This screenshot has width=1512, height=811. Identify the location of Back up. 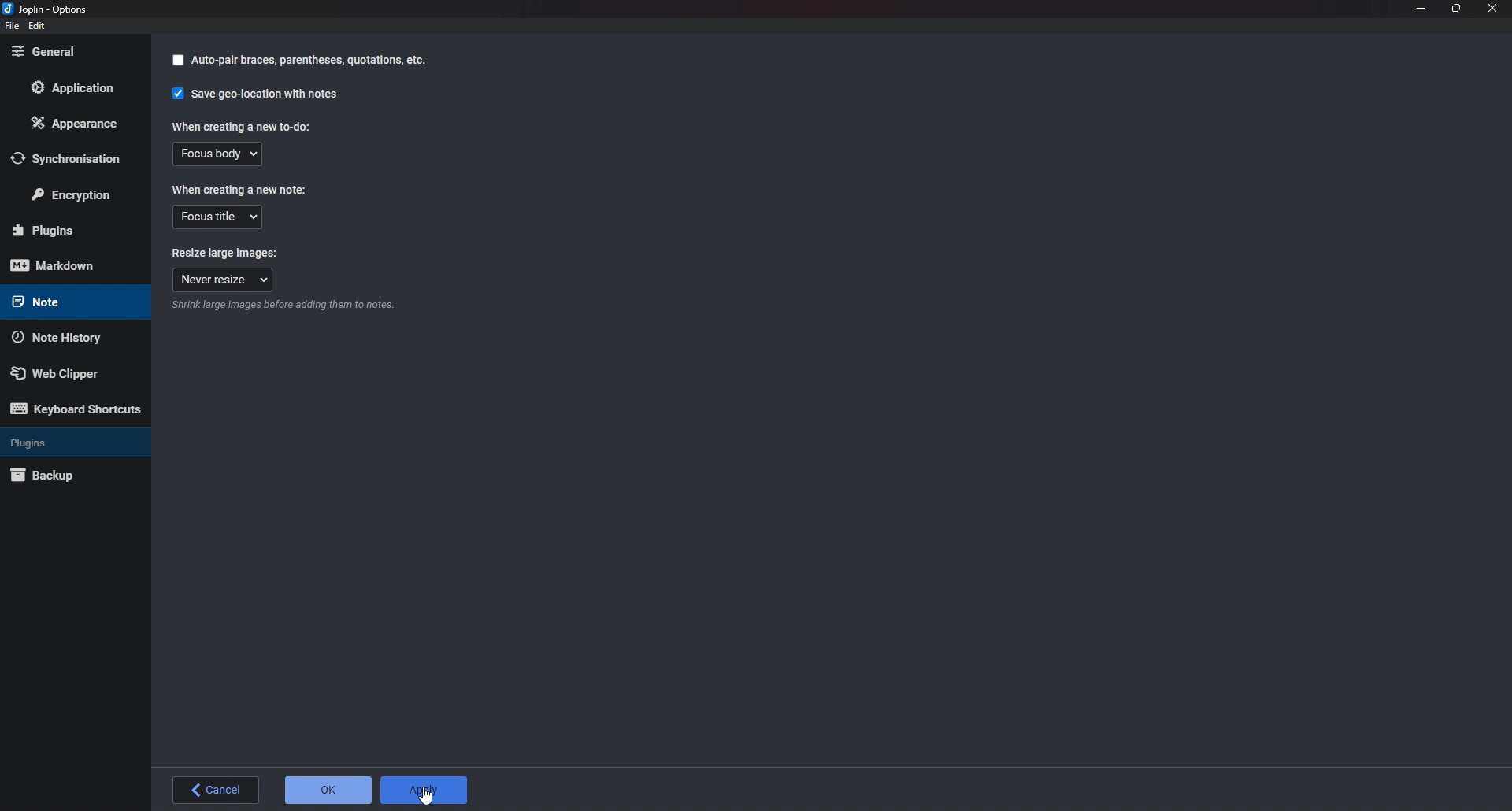
(72, 476).